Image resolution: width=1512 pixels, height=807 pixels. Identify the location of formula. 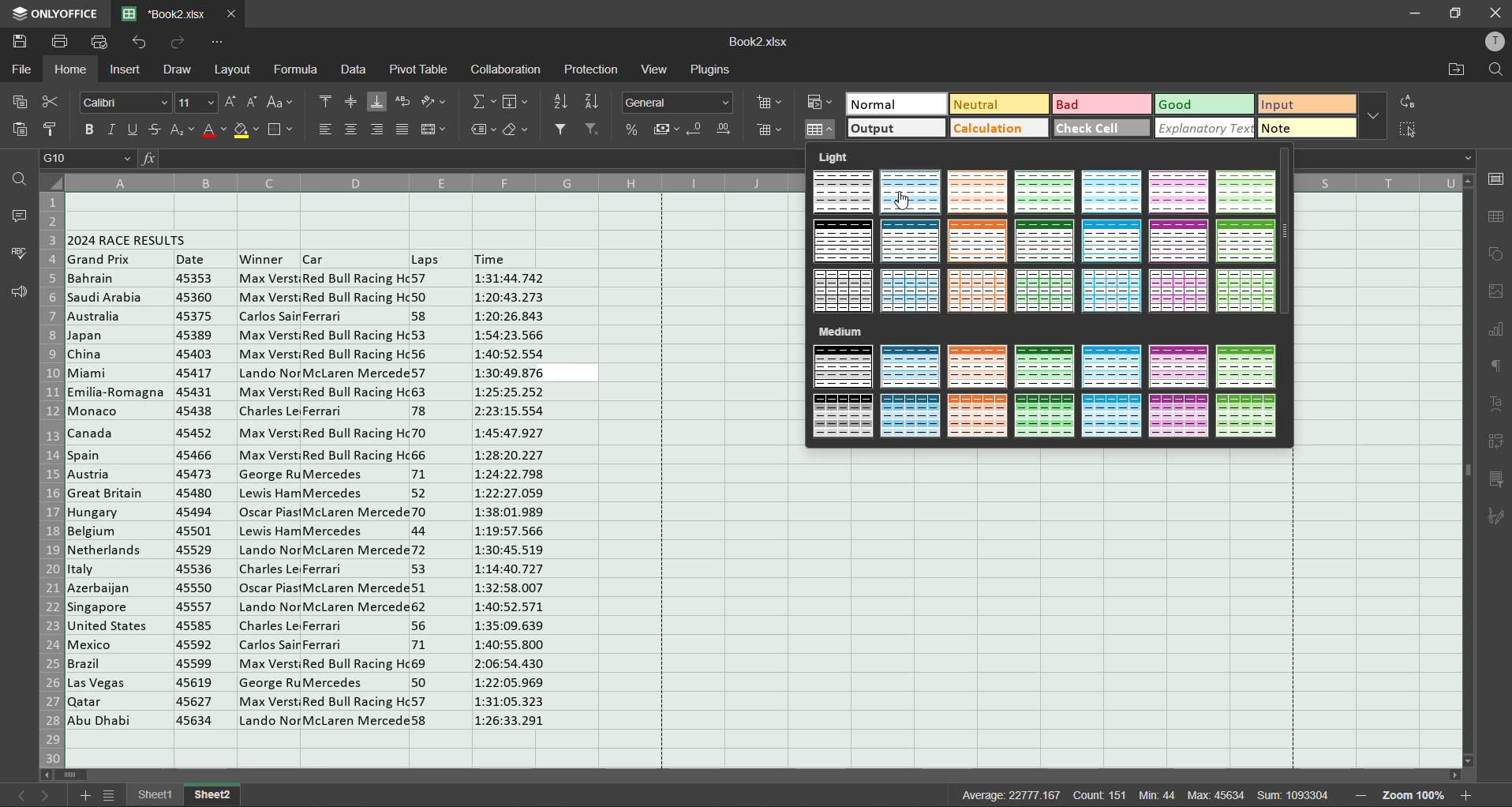
(296, 69).